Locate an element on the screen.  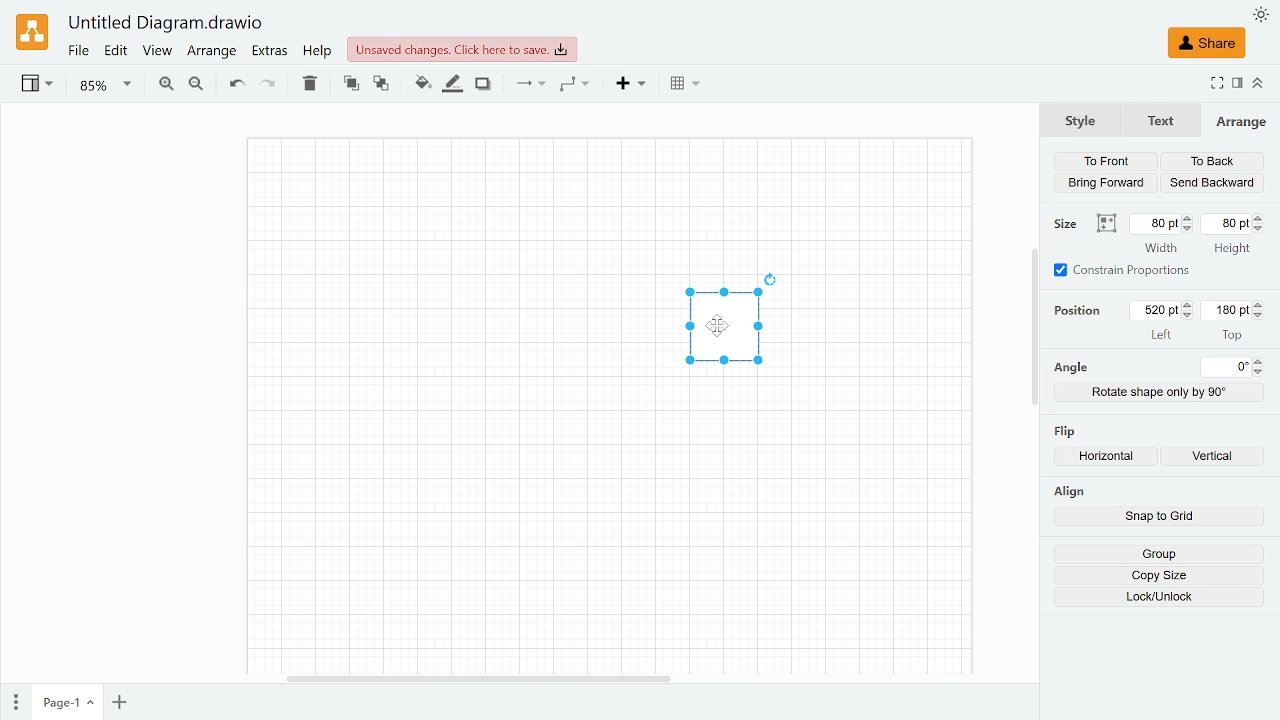
Current selected rectangle diagram is located at coordinates (724, 331).